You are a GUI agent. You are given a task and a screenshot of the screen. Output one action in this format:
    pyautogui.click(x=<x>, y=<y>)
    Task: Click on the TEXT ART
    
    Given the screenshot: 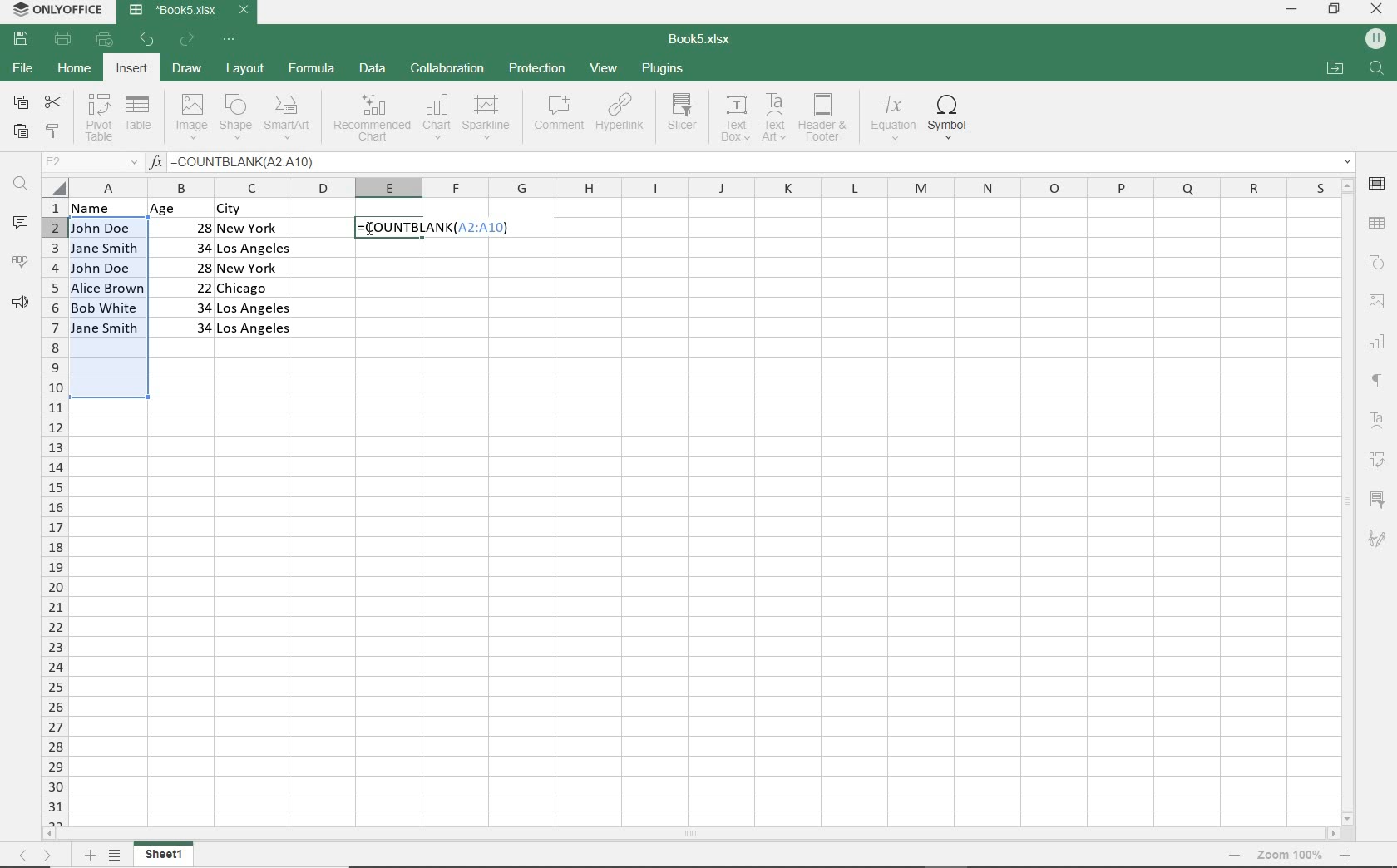 What is the action you would take?
    pyautogui.click(x=774, y=118)
    